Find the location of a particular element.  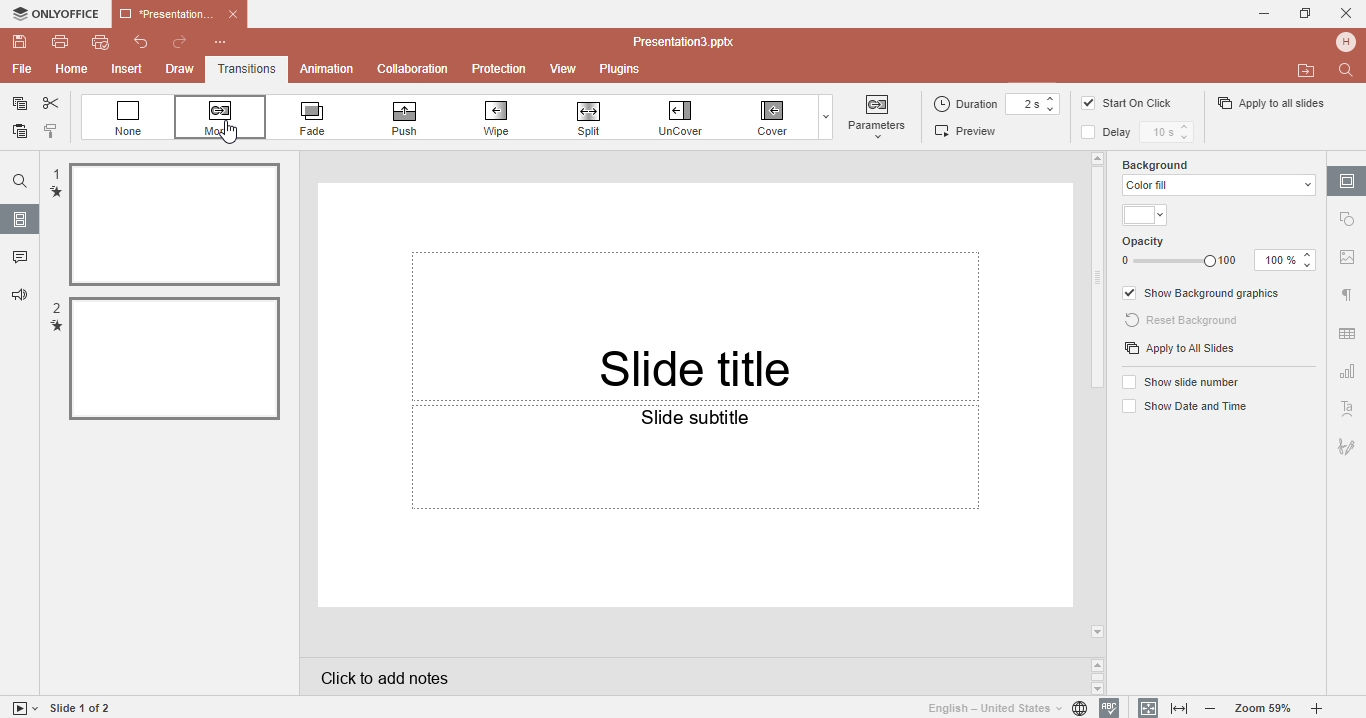

Plugins is located at coordinates (629, 70).